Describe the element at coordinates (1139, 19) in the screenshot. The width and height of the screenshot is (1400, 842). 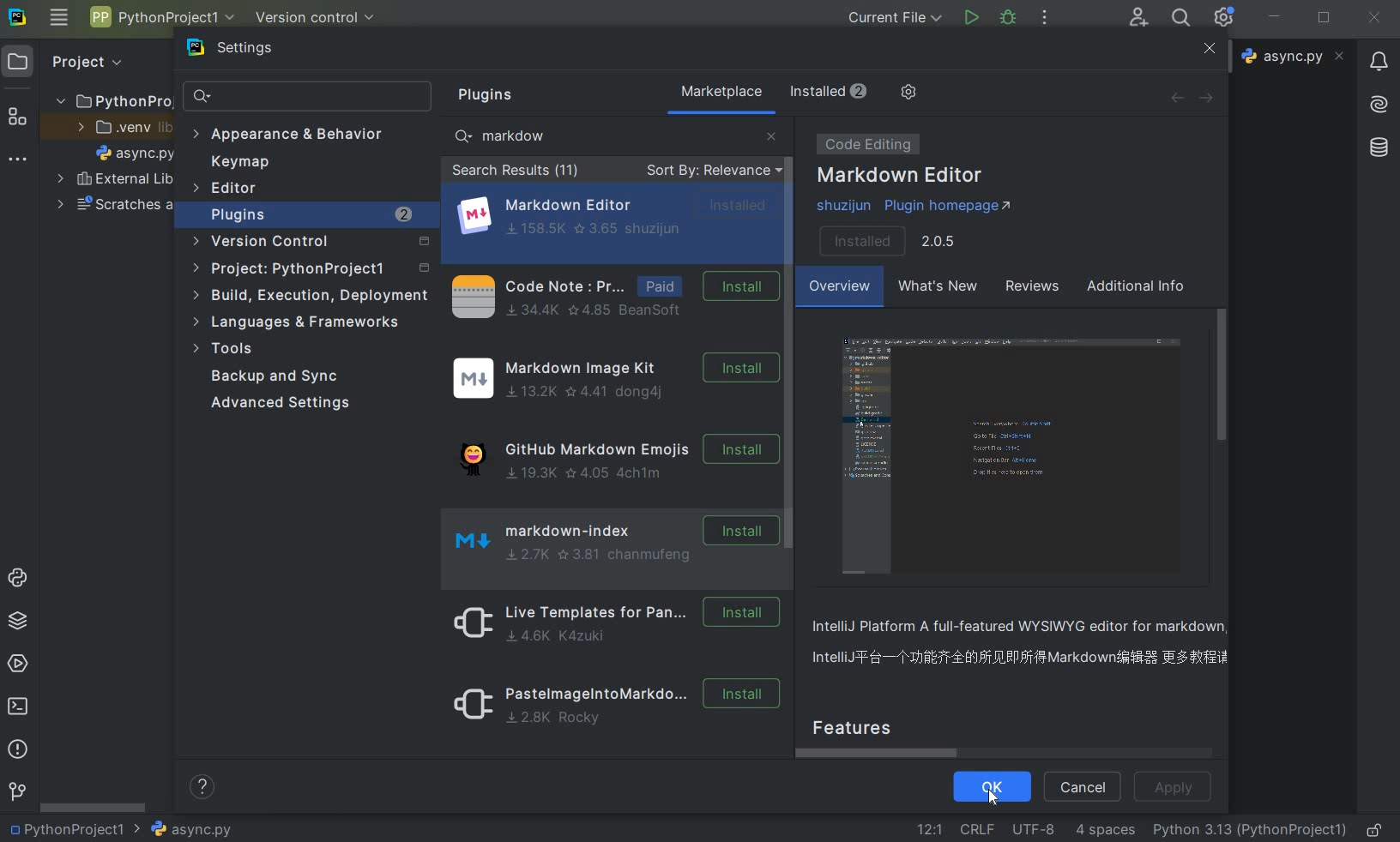
I see `code with me` at that location.